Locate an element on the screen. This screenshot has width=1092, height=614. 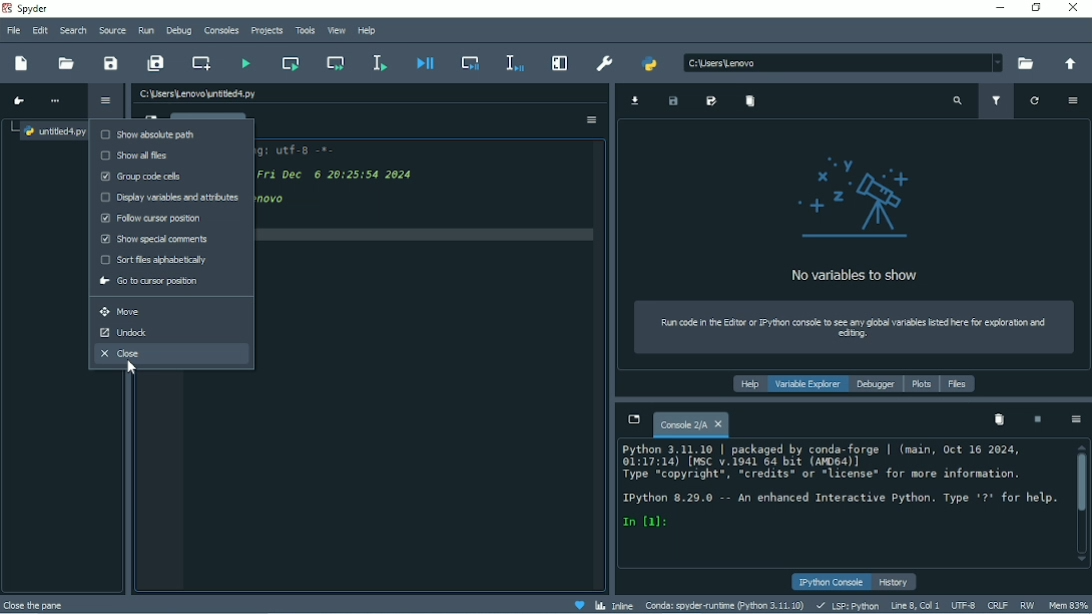
Save file is located at coordinates (110, 64).